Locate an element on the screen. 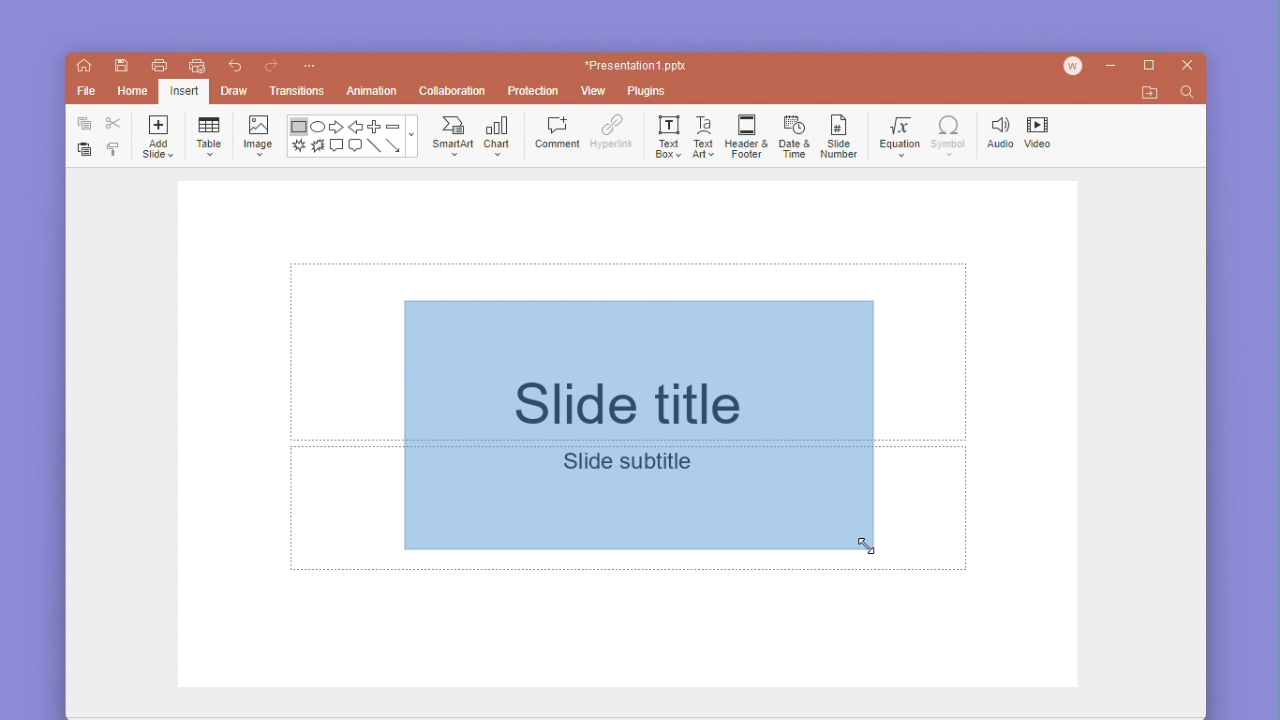 This screenshot has height=720, width=1280. collaboration is located at coordinates (453, 90).